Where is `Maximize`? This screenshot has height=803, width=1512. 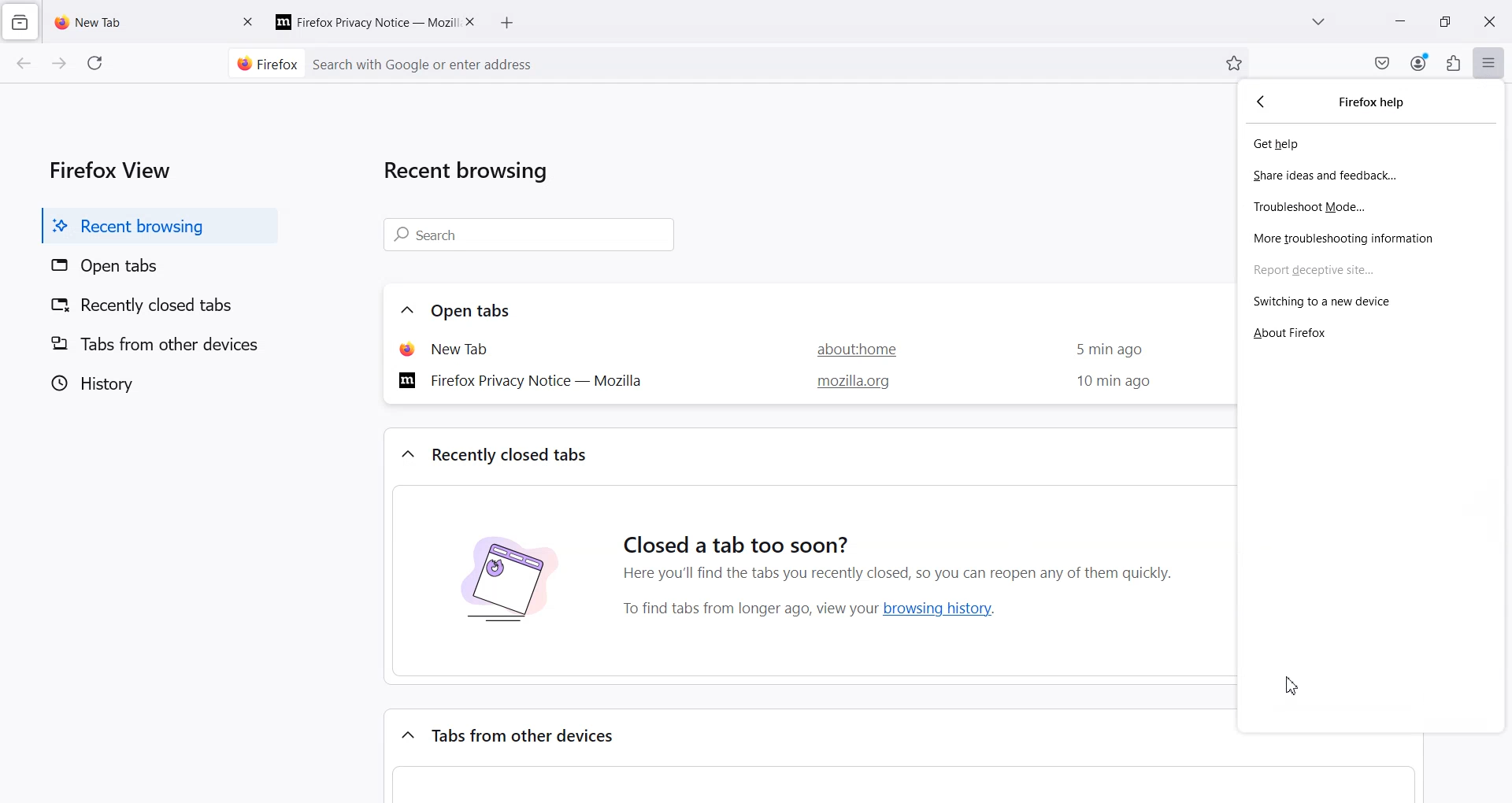
Maximize is located at coordinates (1445, 21).